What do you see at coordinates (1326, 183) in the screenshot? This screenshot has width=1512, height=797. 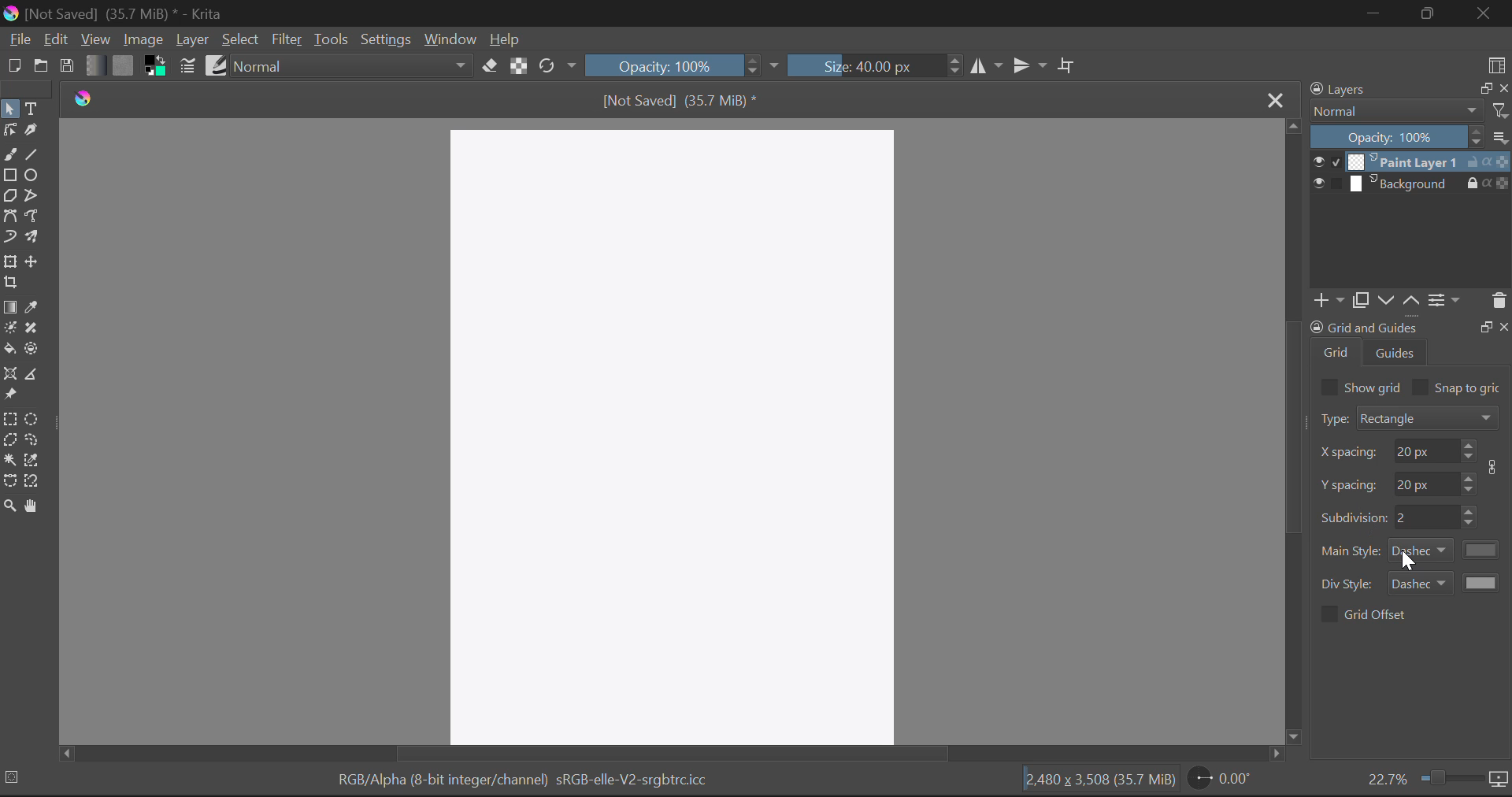 I see `show/hide` at bounding box center [1326, 183].